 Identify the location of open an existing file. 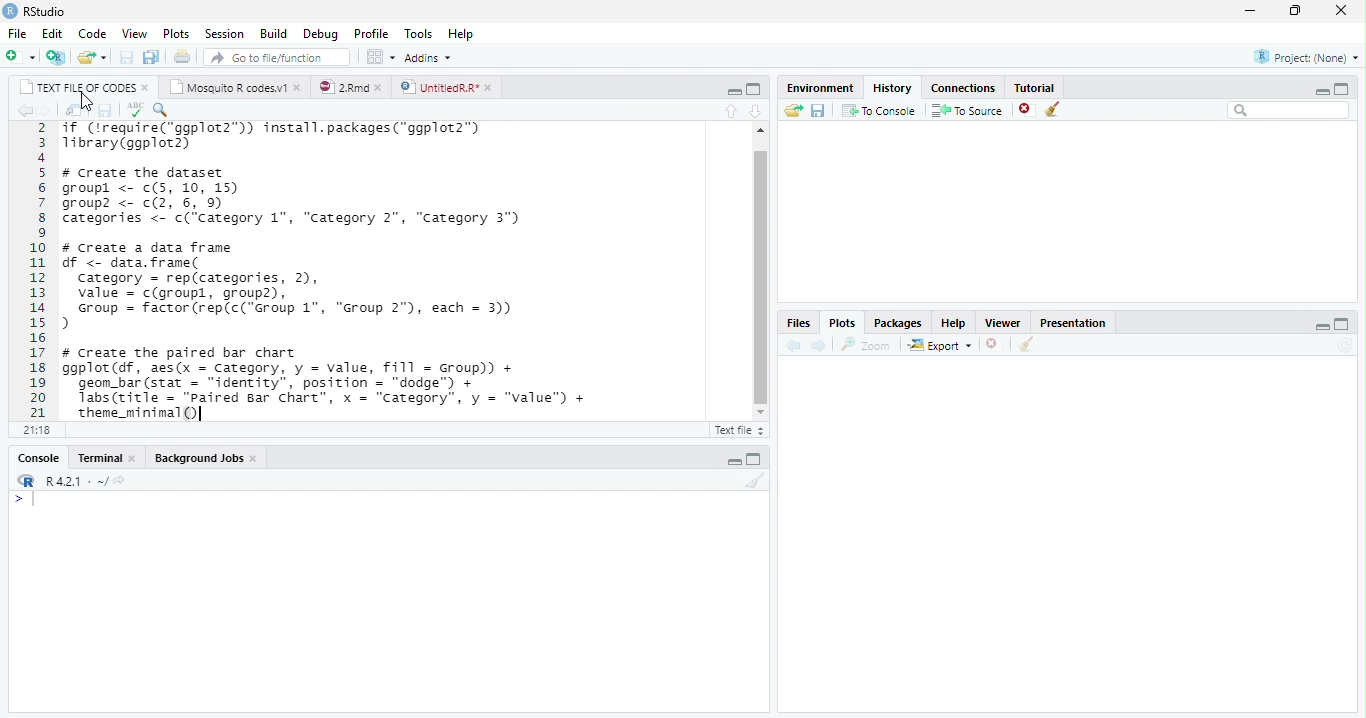
(91, 56).